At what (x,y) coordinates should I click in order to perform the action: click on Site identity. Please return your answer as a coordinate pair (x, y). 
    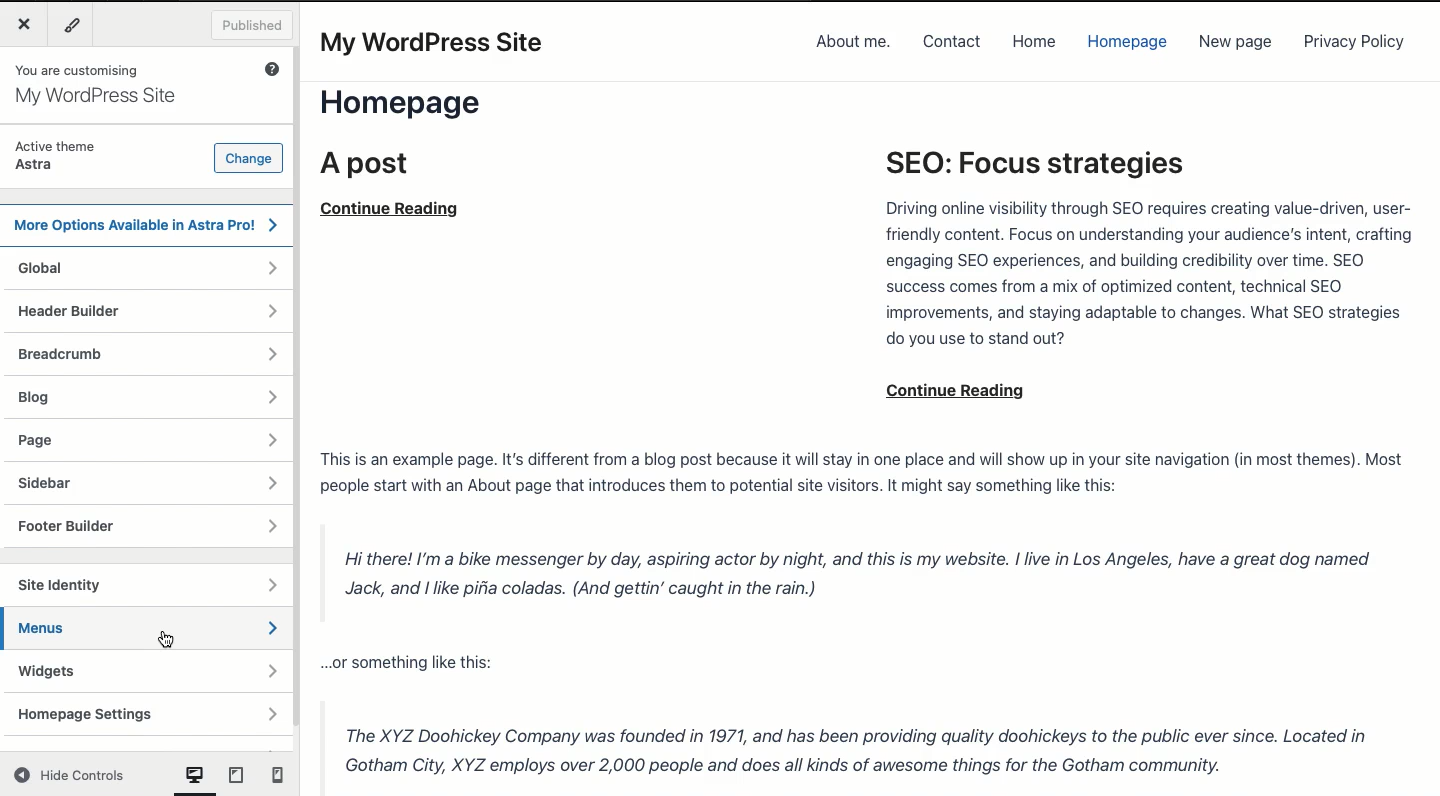
    Looking at the image, I should click on (148, 587).